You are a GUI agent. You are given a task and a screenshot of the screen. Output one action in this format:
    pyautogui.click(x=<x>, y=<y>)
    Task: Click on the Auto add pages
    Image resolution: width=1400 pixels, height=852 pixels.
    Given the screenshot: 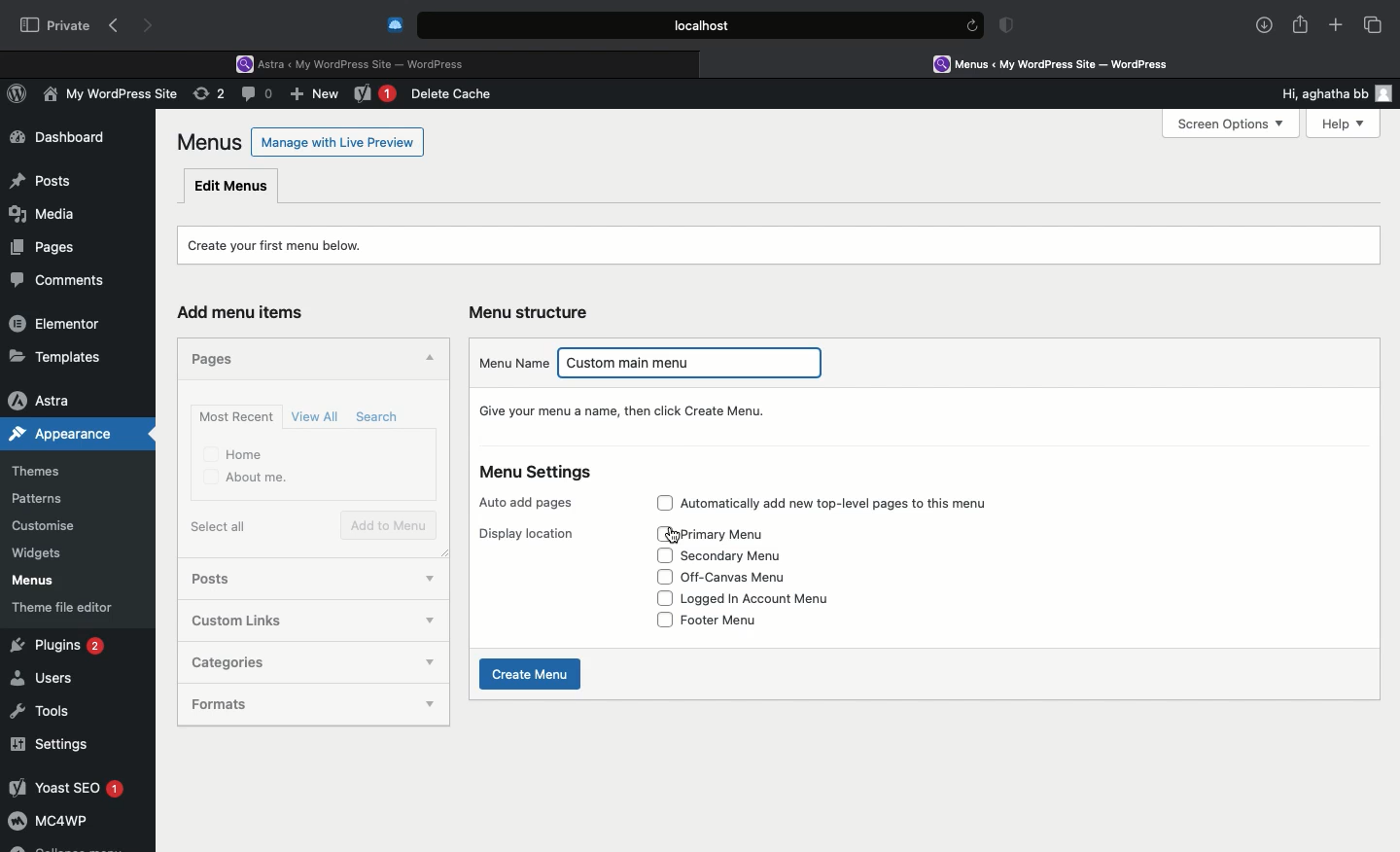 What is the action you would take?
    pyautogui.click(x=530, y=503)
    